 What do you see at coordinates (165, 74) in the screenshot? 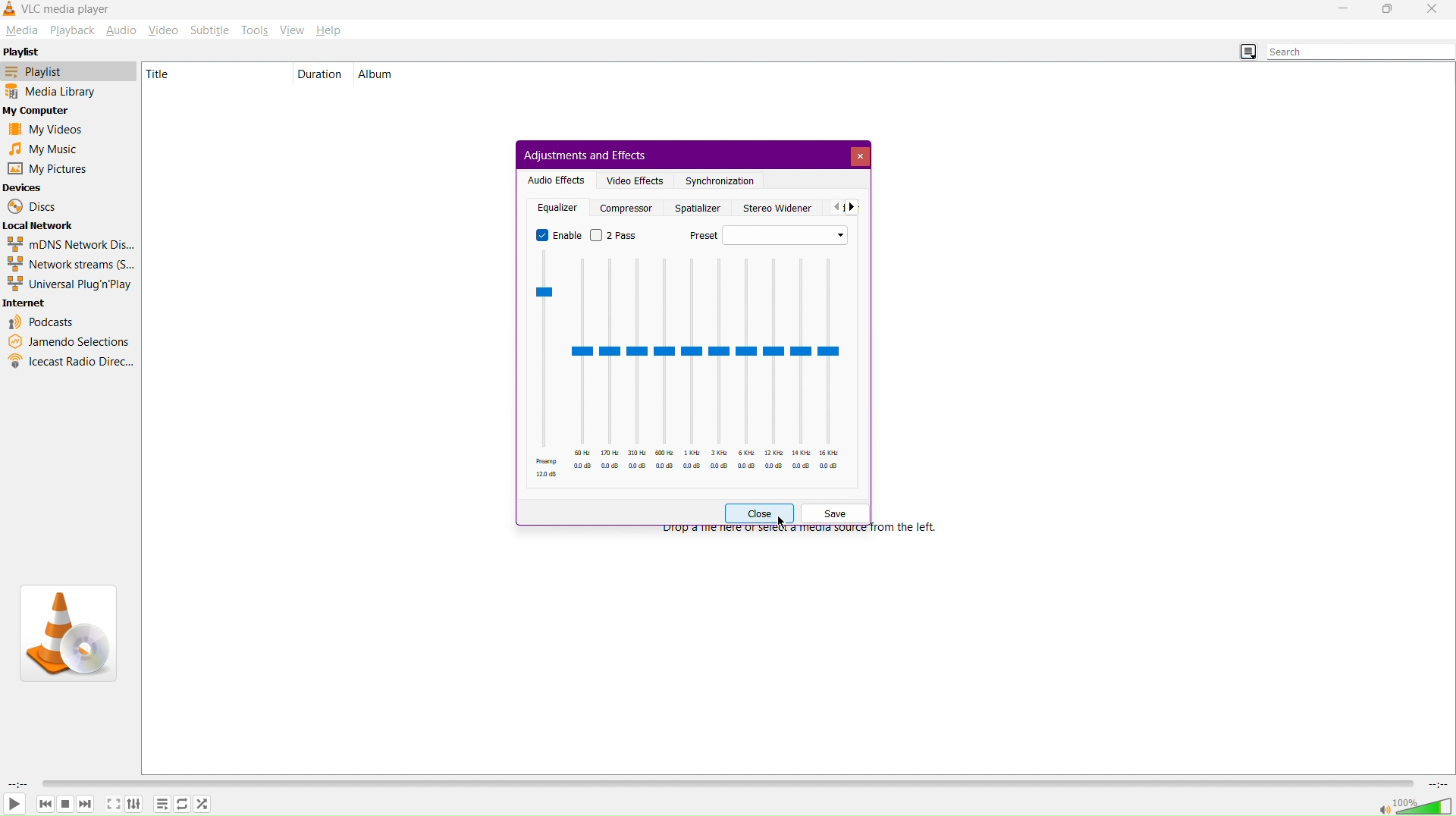
I see `Title` at bounding box center [165, 74].